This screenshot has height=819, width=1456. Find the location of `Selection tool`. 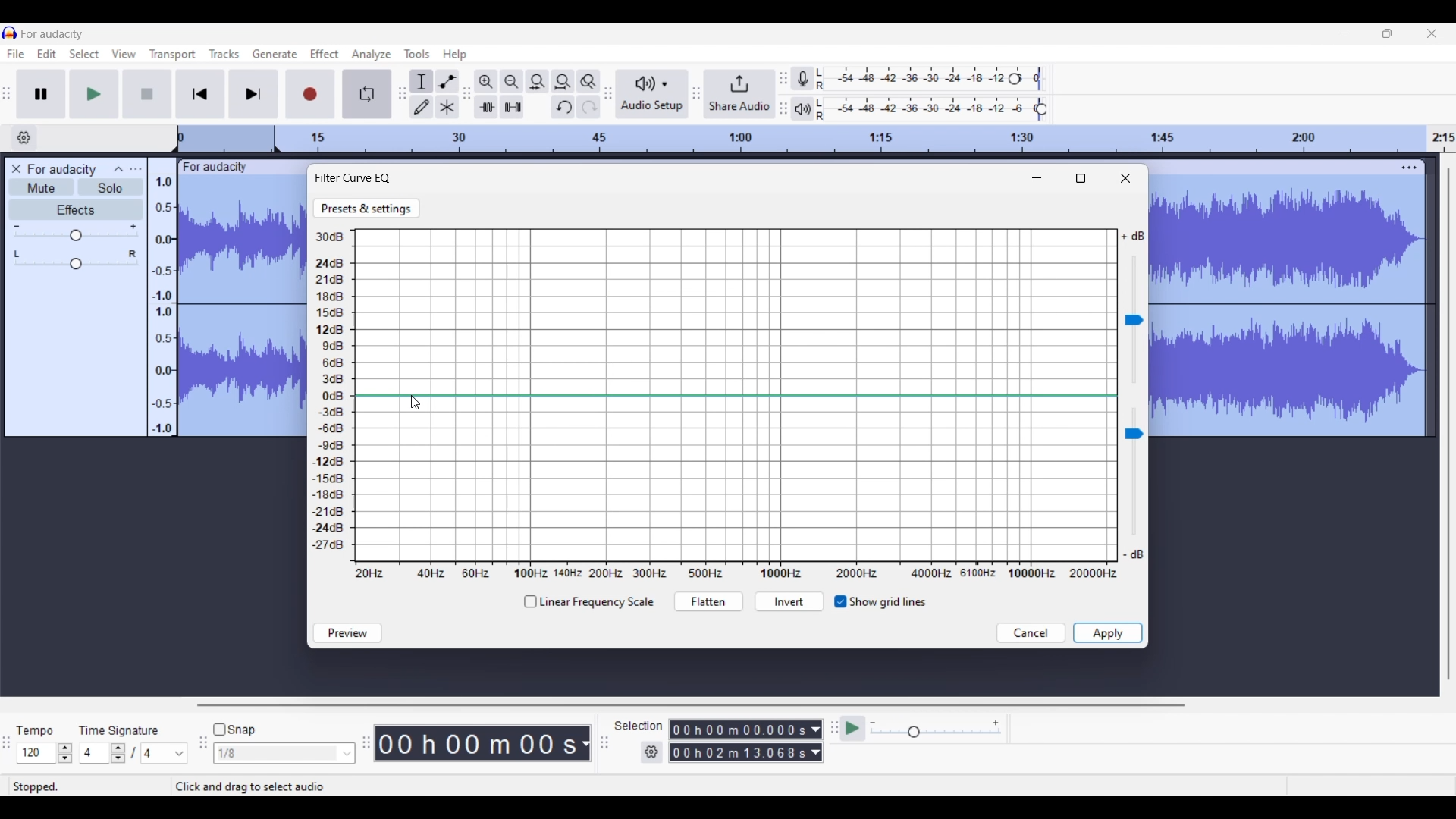

Selection tool is located at coordinates (422, 81).